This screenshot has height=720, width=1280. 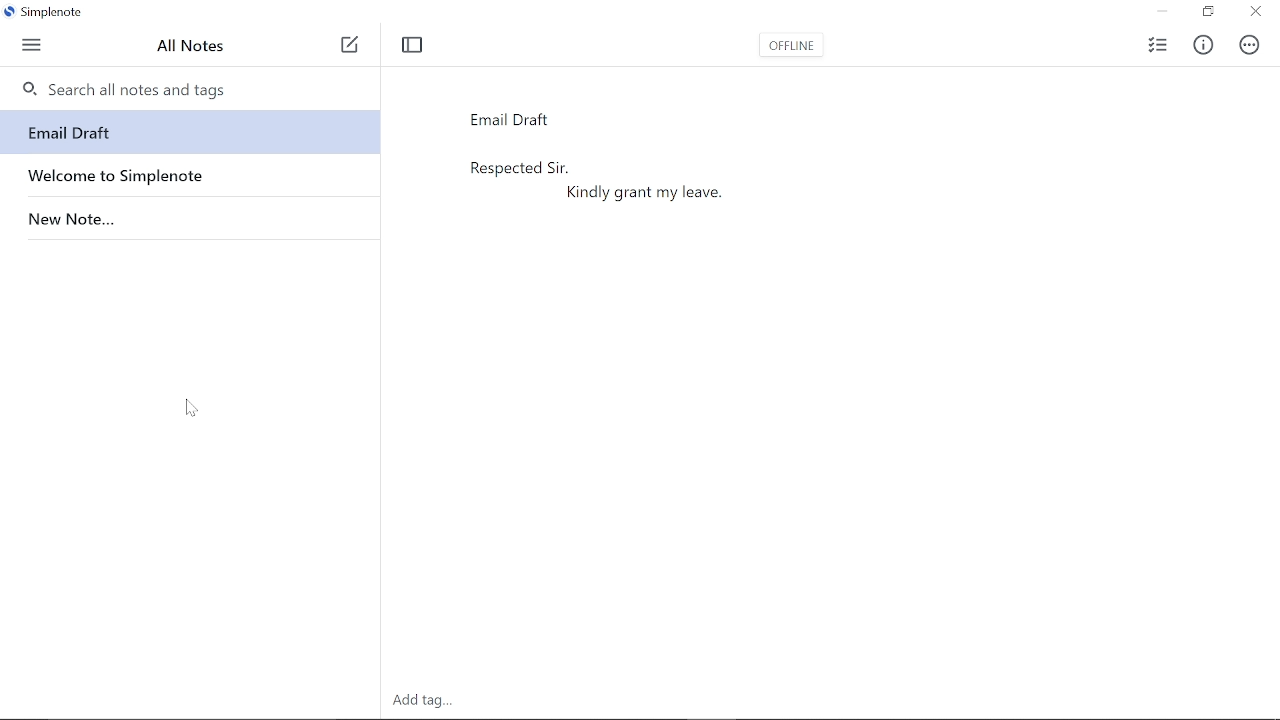 What do you see at coordinates (789, 49) in the screenshot?
I see `offline` at bounding box center [789, 49].